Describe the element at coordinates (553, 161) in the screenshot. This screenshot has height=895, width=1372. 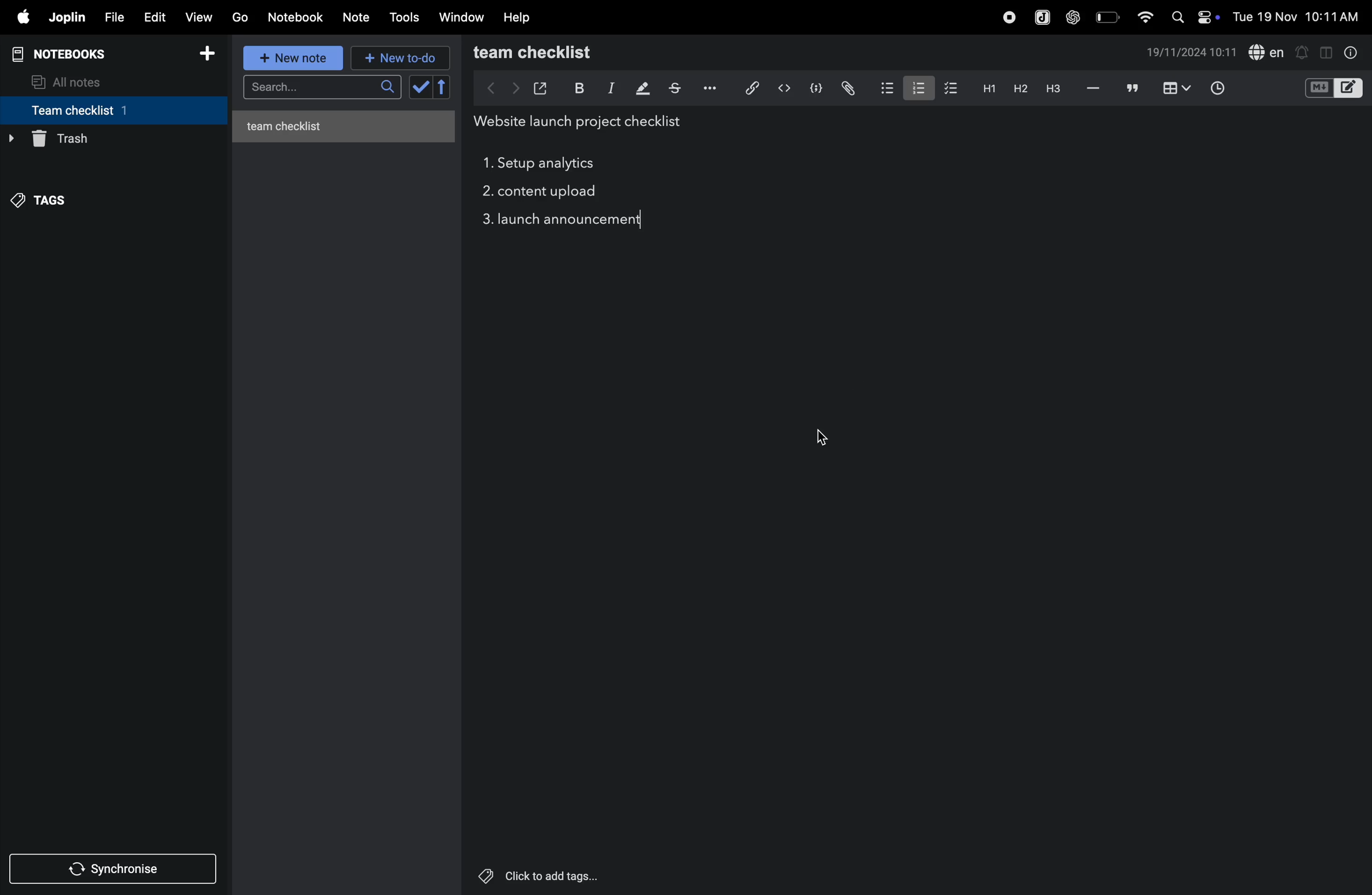
I see `setup analytics` at that location.